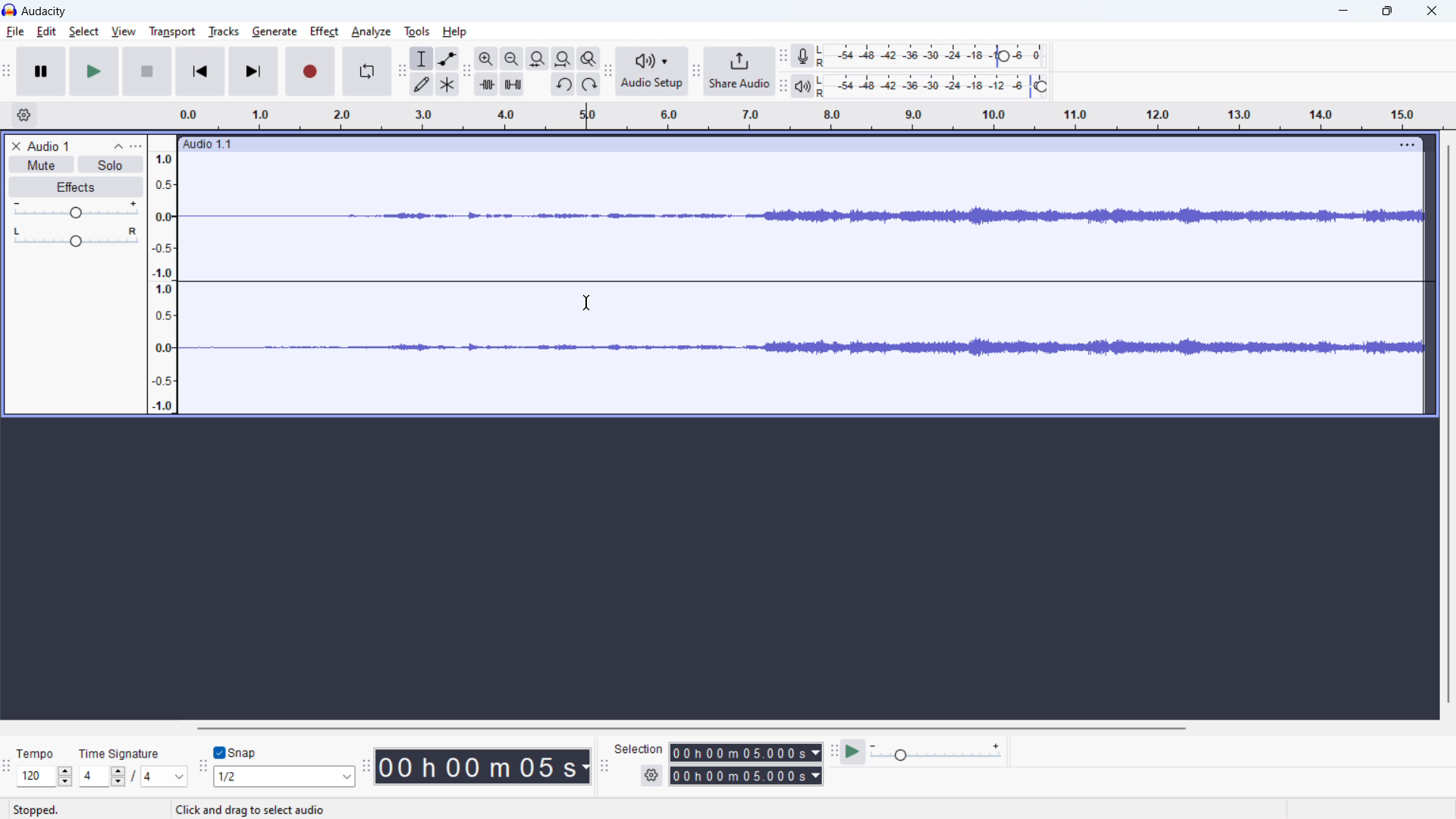  Describe the element at coordinates (42, 165) in the screenshot. I see `mute` at that location.